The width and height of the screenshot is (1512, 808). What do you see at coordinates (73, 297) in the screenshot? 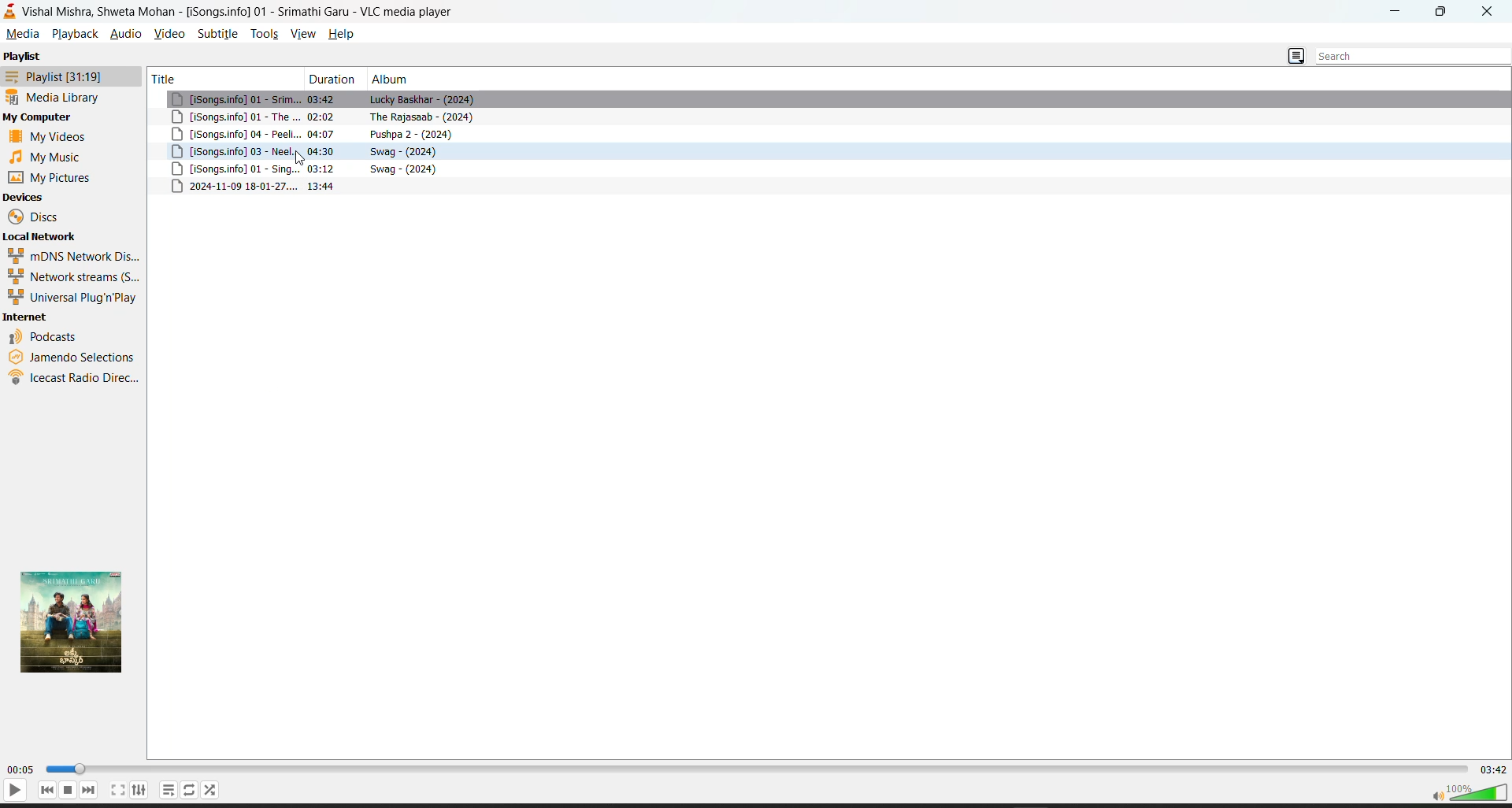
I see `universal plug n play` at bounding box center [73, 297].